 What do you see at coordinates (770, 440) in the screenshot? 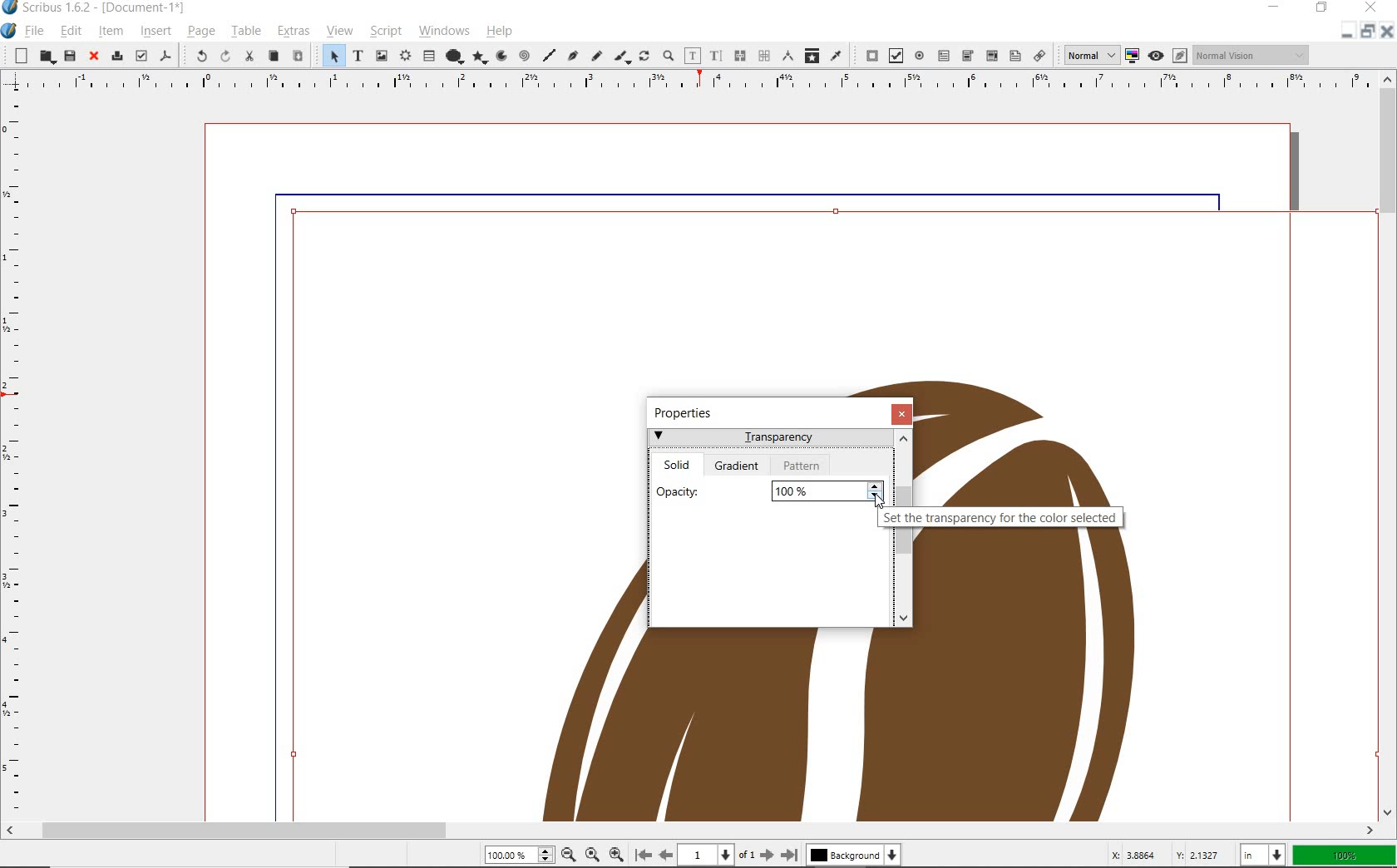
I see `Transparency` at bounding box center [770, 440].